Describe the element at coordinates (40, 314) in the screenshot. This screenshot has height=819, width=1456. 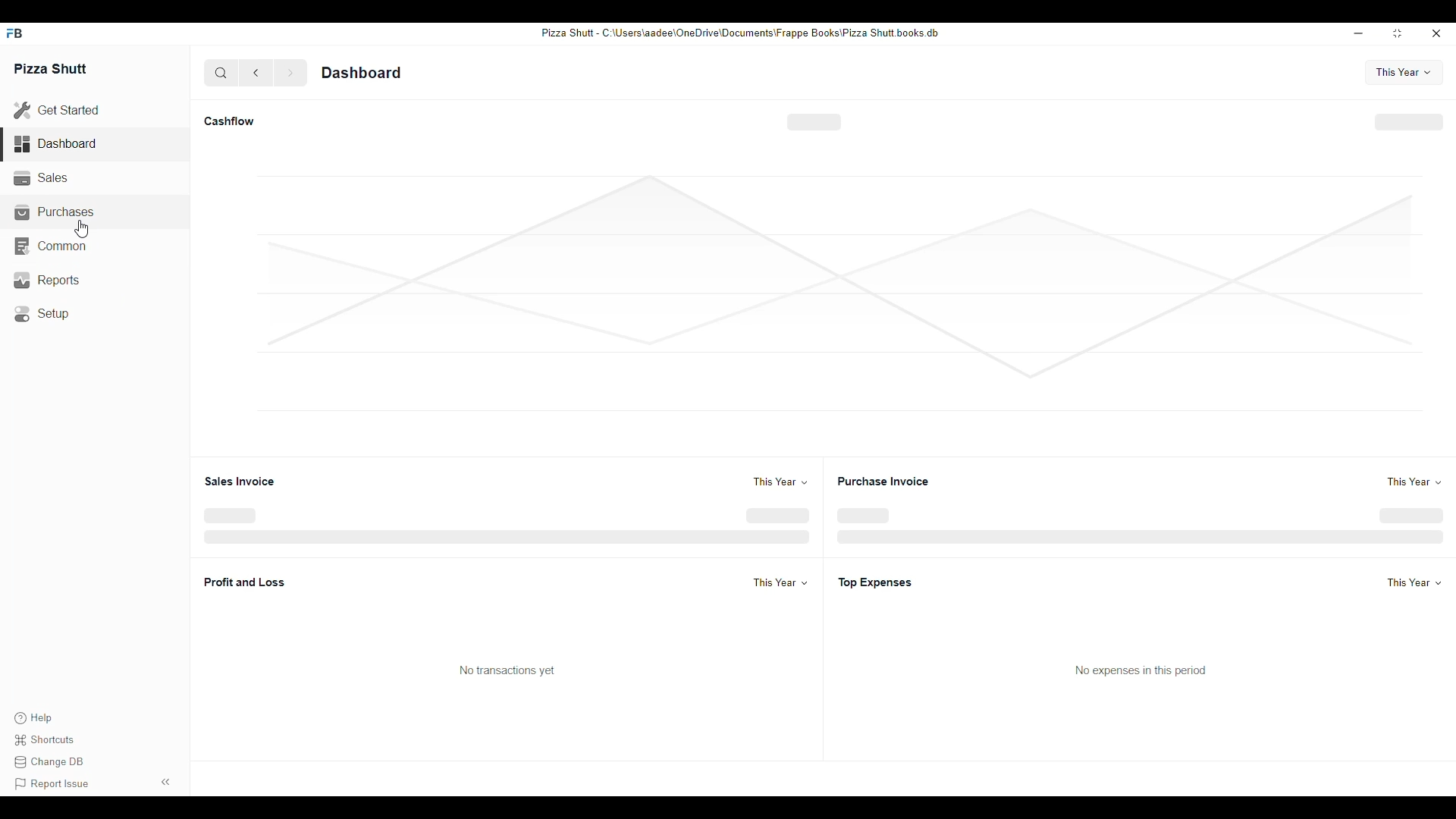
I see `Setup` at that location.